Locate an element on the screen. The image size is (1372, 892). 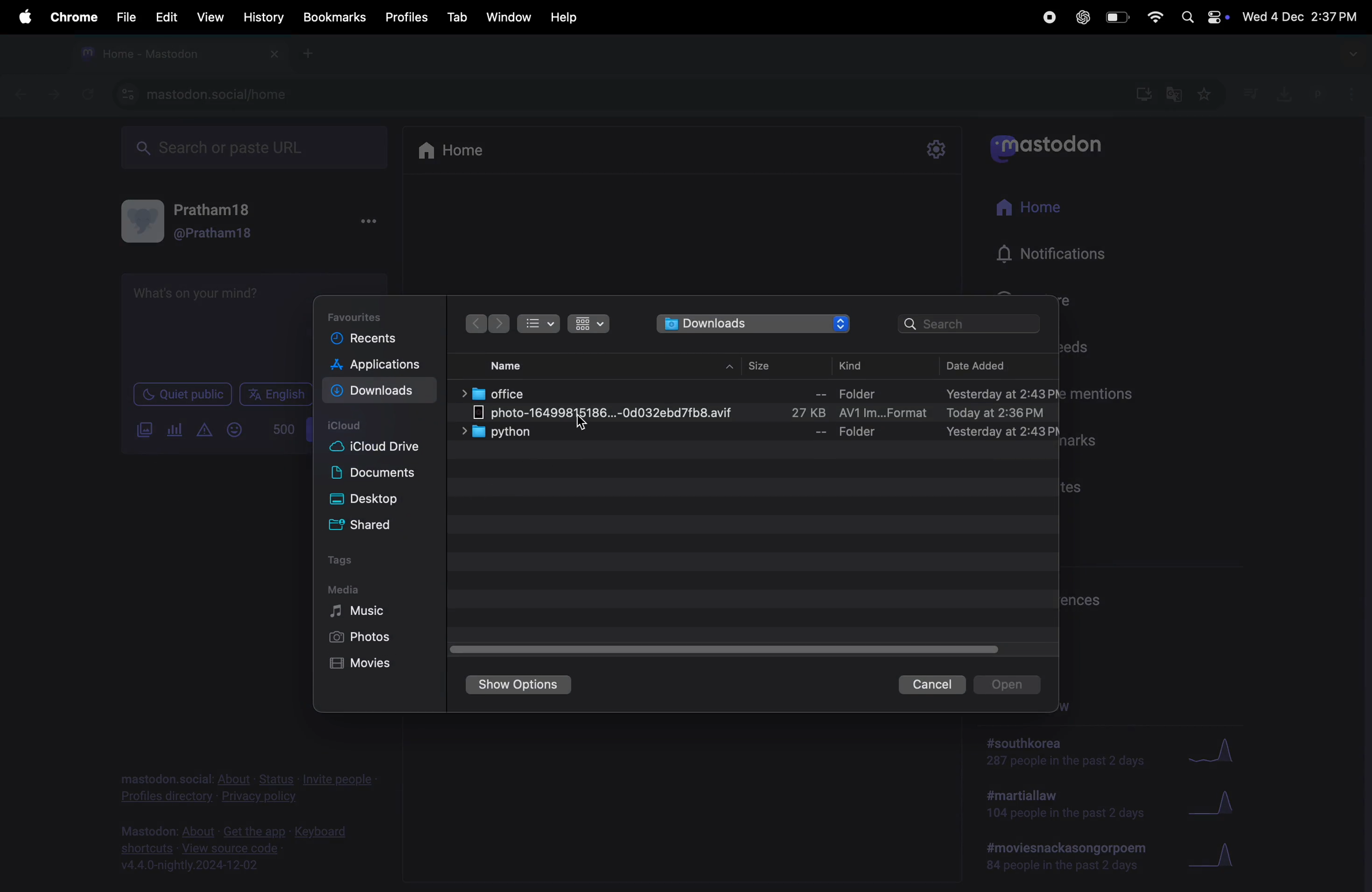
battery is located at coordinates (1115, 18).